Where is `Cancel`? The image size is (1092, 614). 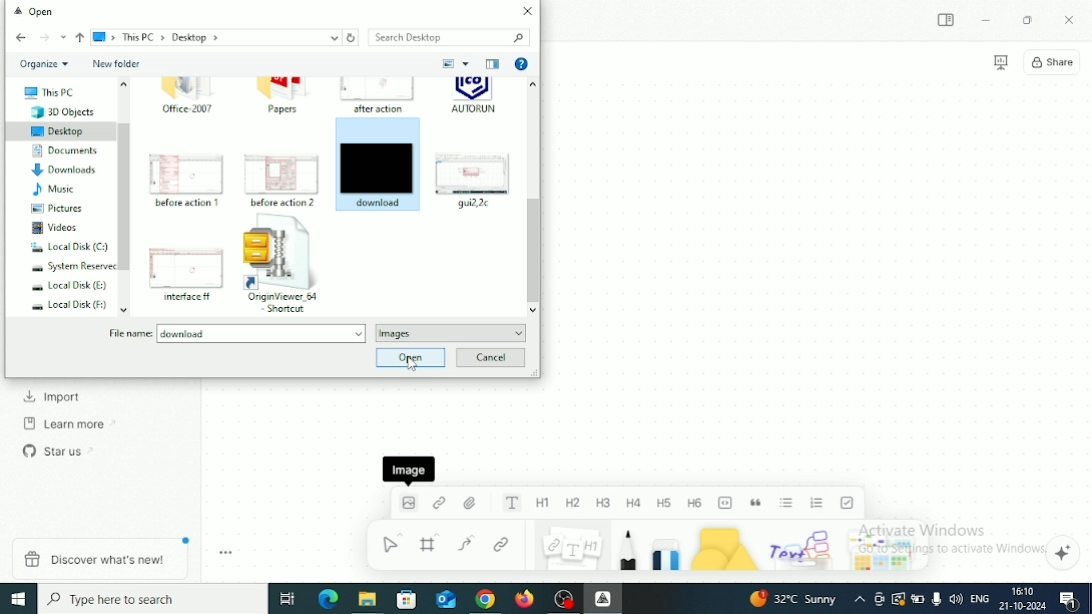
Cancel is located at coordinates (489, 358).